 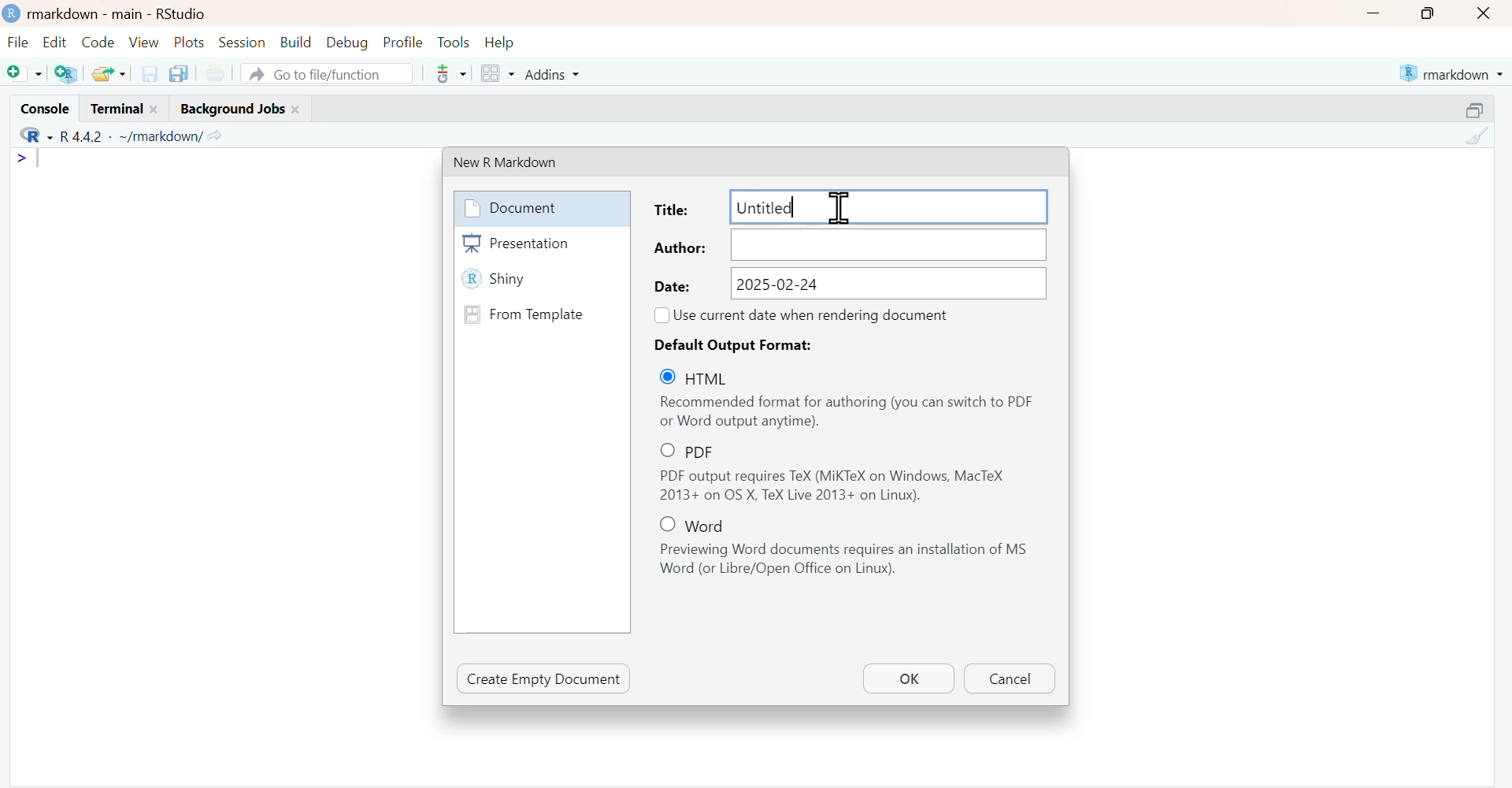 I want to click on Debug, so click(x=346, y=43).